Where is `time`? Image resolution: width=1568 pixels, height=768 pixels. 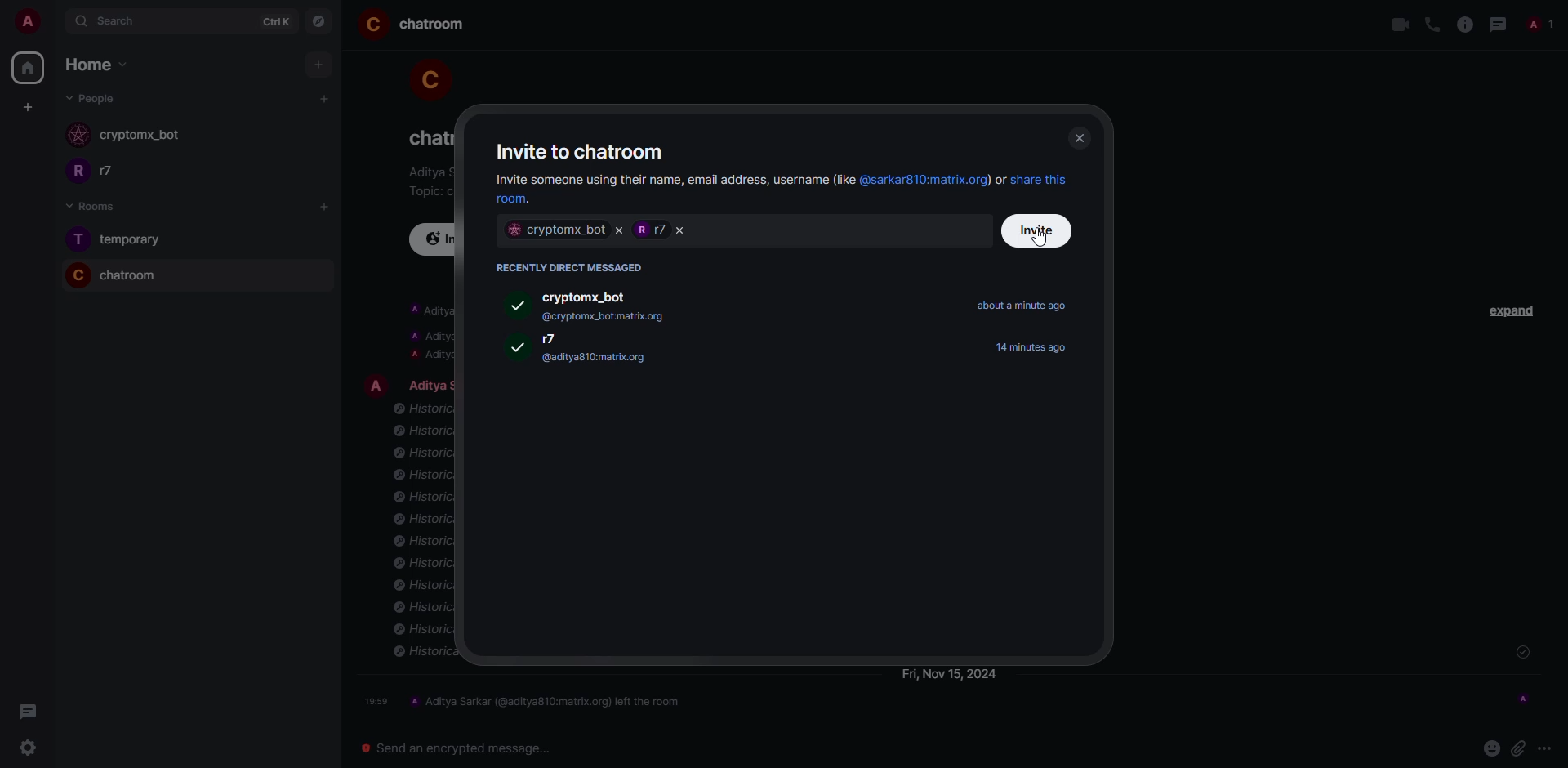 time is located at coordinates (1036, 346).